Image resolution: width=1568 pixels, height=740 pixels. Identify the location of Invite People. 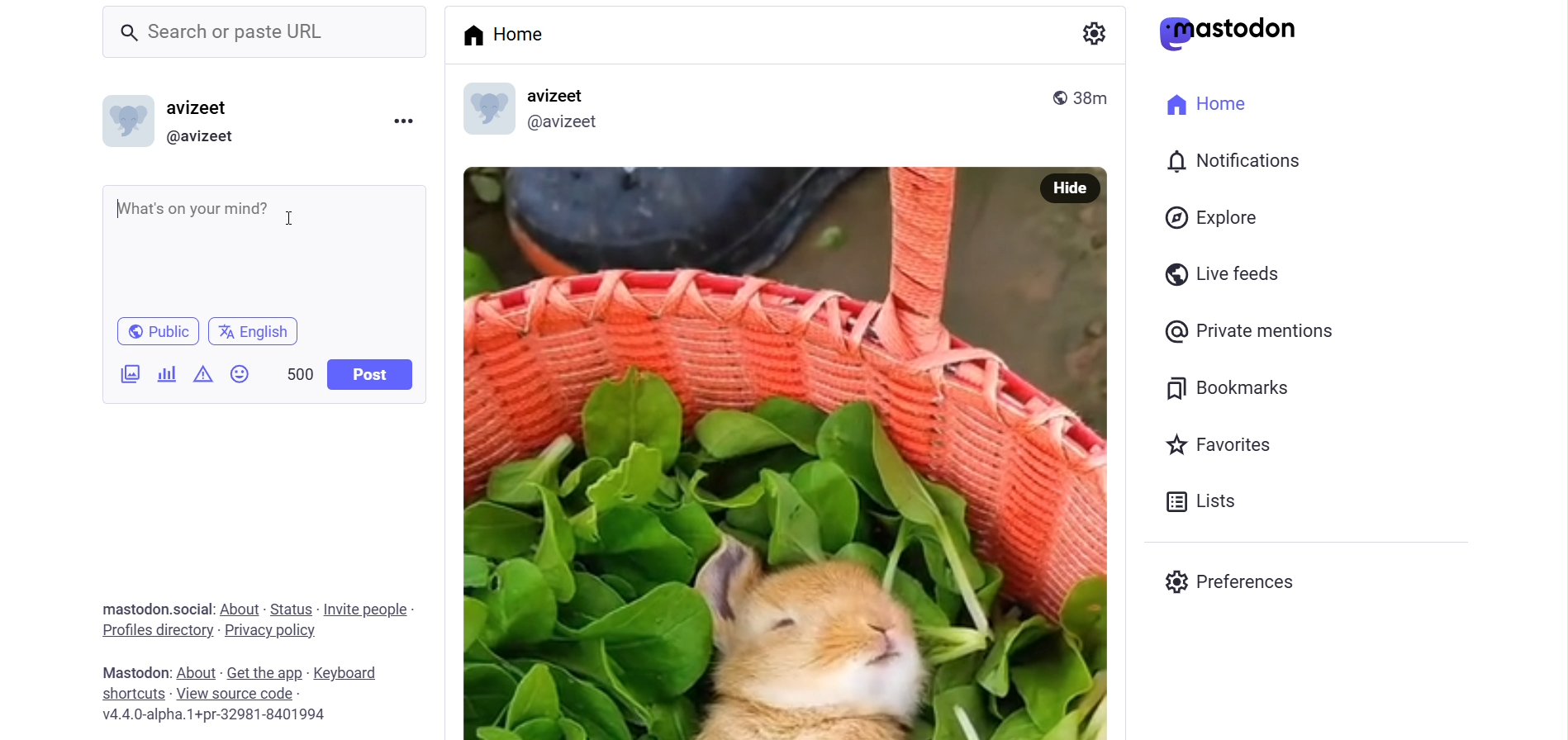
(368, 610).